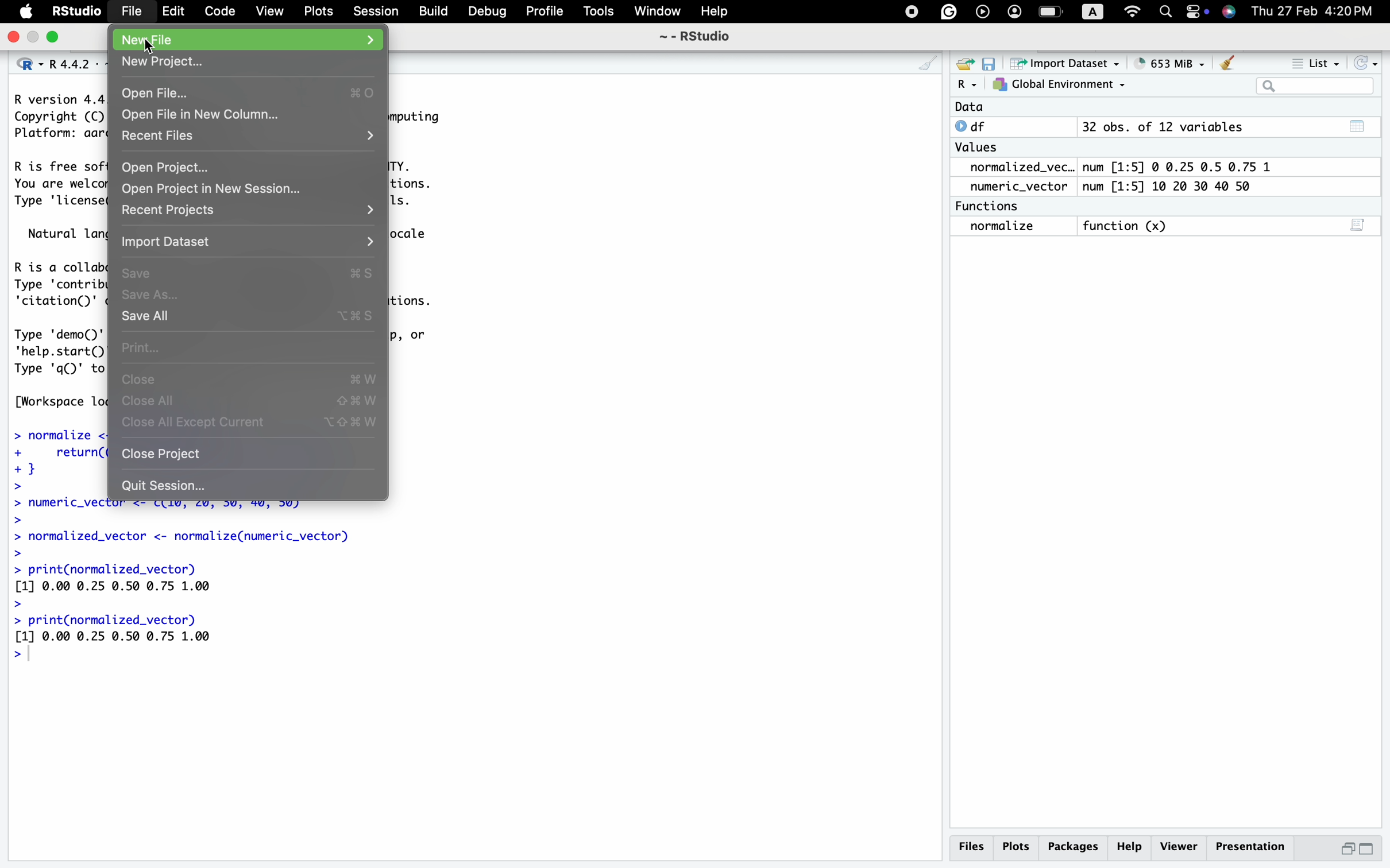 The width and height of the screenshot is (1390, 868). Describe the element at coordinates (163, 138) in the screenshot. I see `Recent Files` at that location.